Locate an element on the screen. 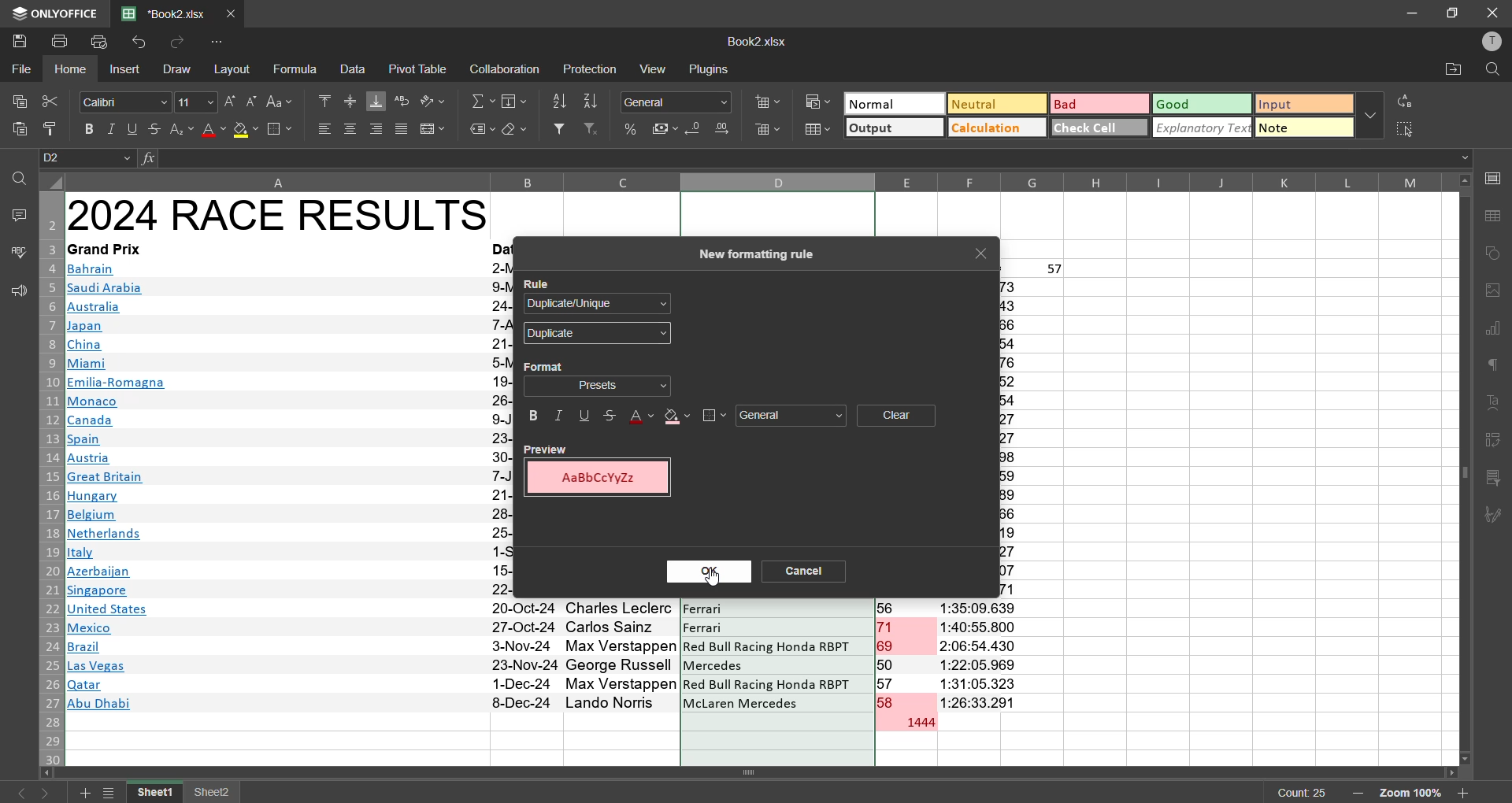  input is located at coordinates (1304, 105).